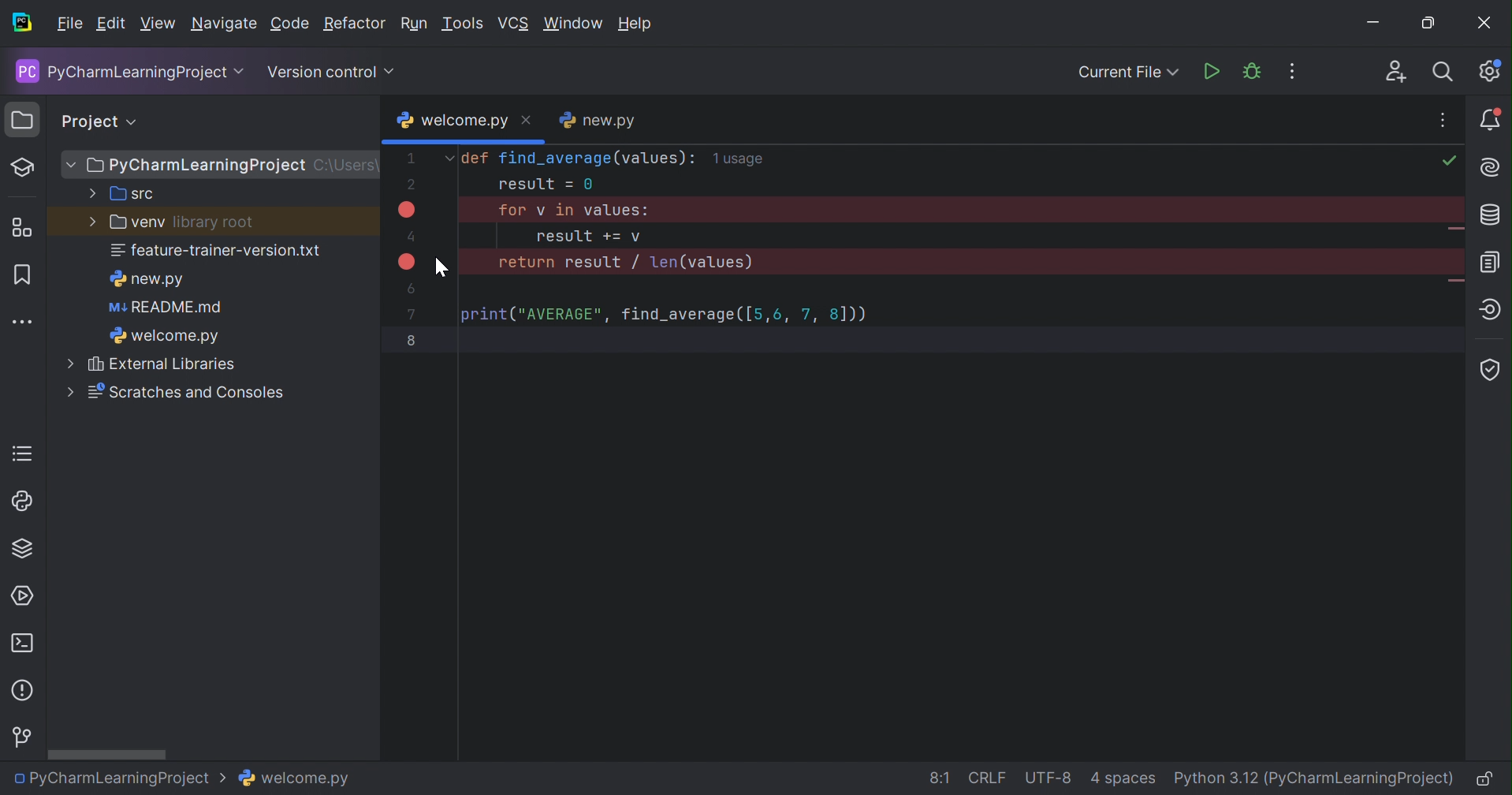 This screenshot has width=1512, height=795. What do you see at coordinates (1396, 73) in the screenshot?
I see `Code With Me` at bounding box center [1396, 73].